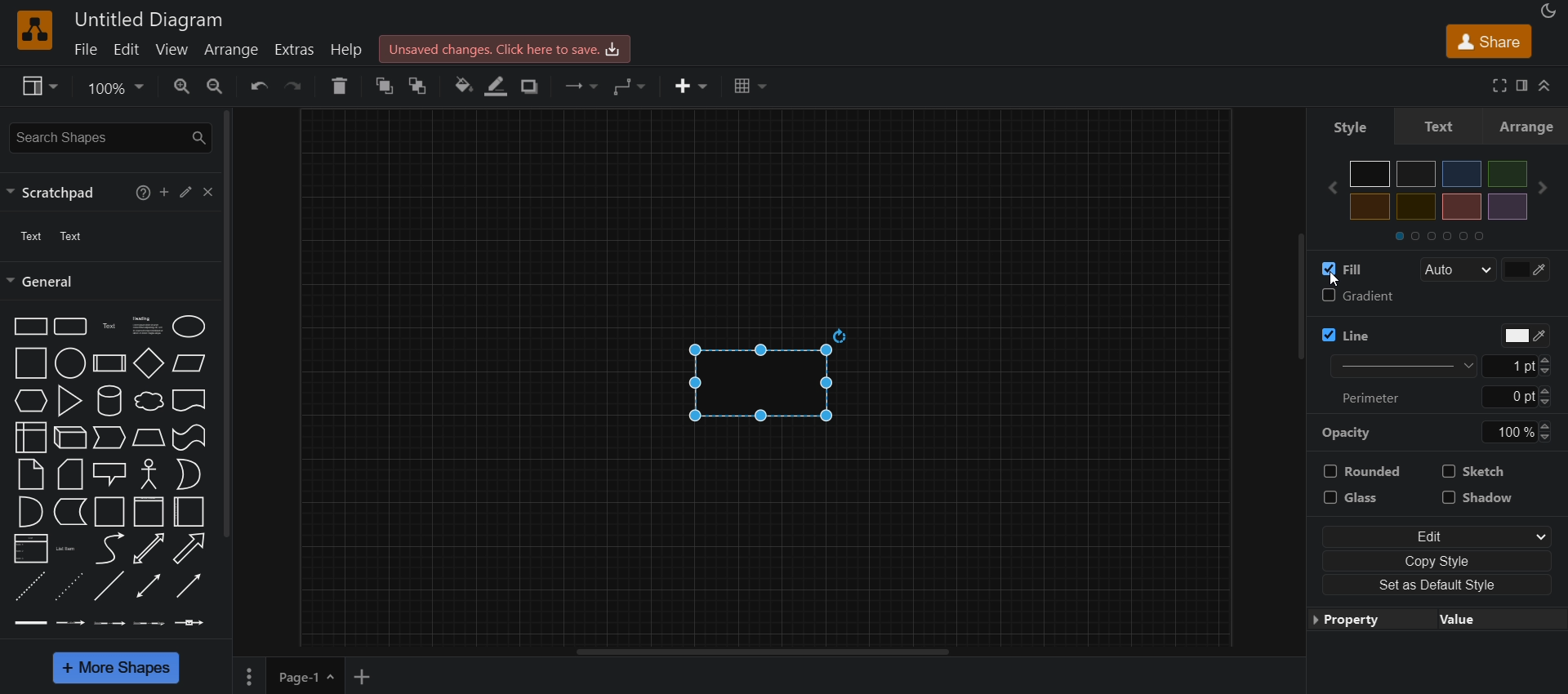  What do you see at coordinates (114, 667) in the screenshot?
I see `more shapes` at bounding box center [114, 667].